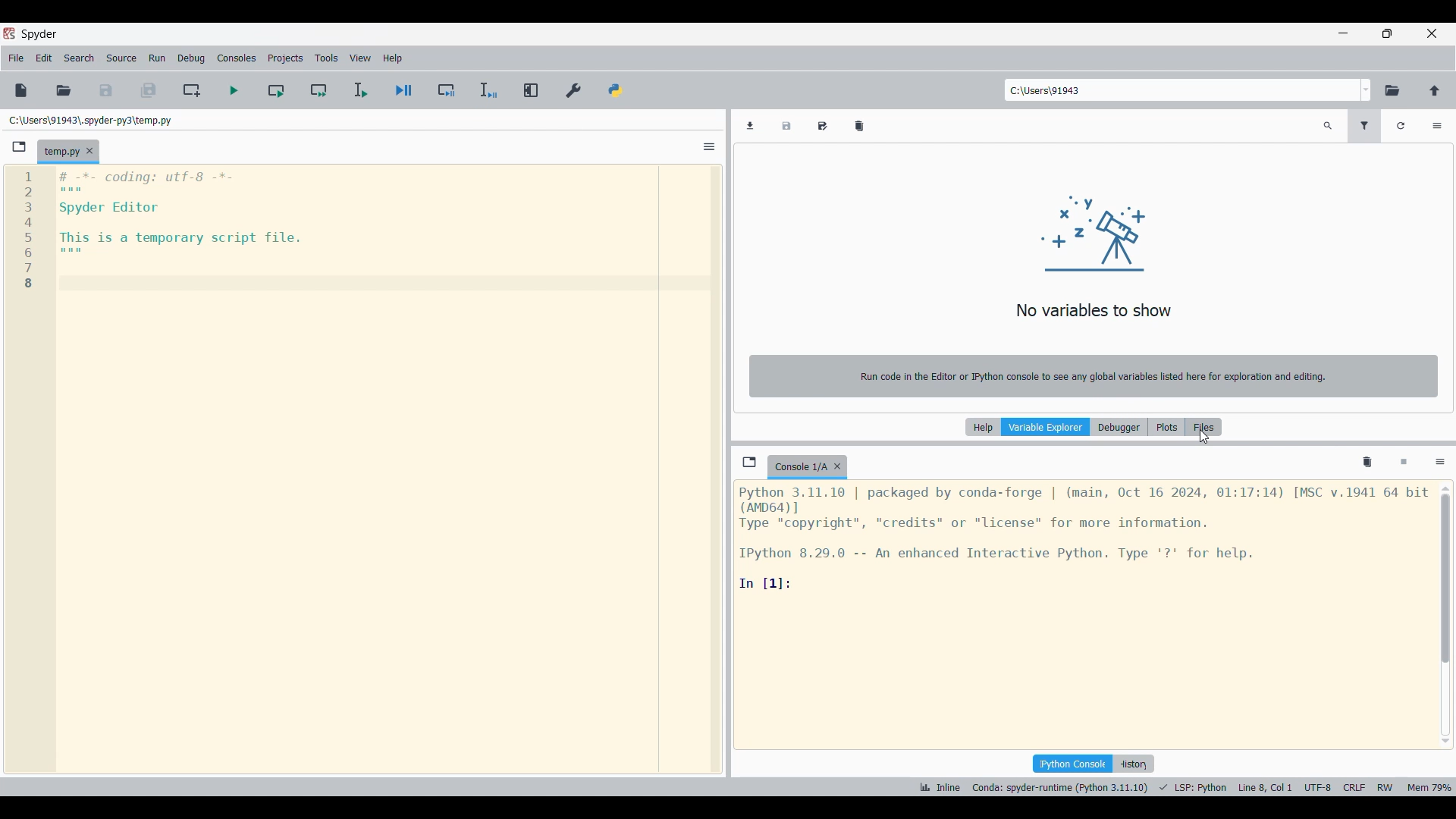  I want to click on IPython console, so click(1072, 764).